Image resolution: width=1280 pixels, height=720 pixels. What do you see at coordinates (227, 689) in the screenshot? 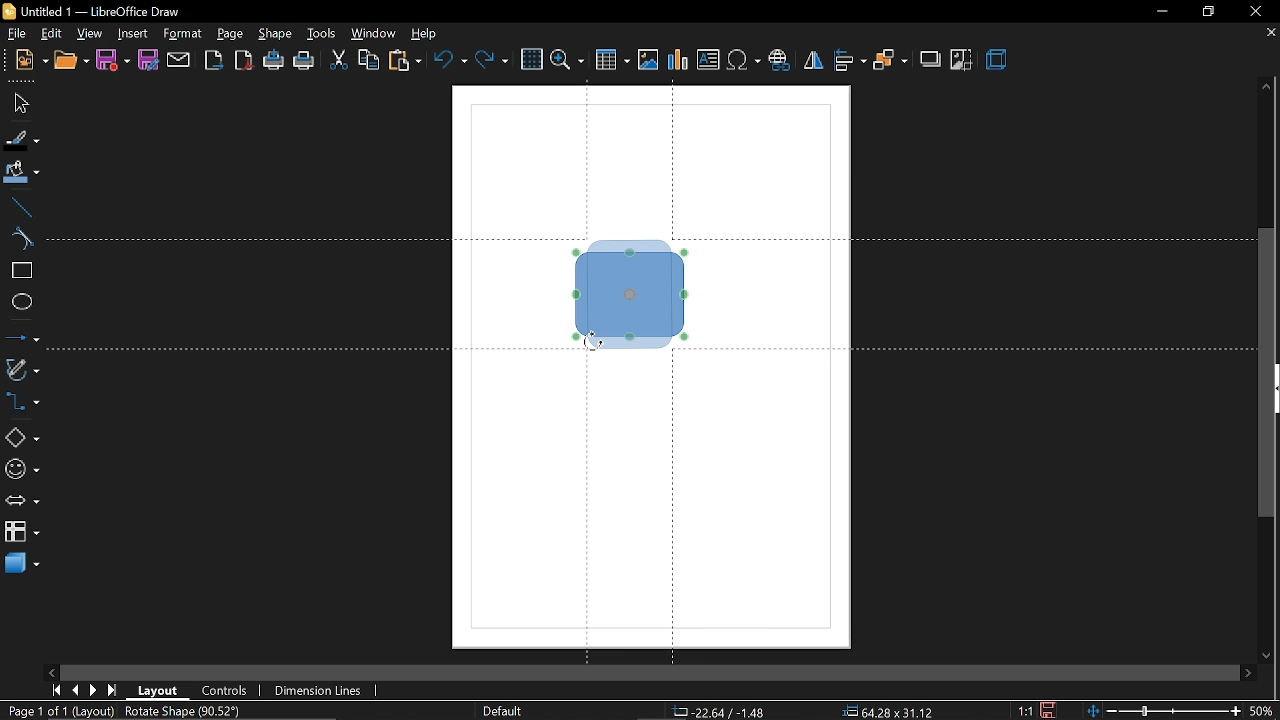
I see `controls` at bounding box center [227, 689].